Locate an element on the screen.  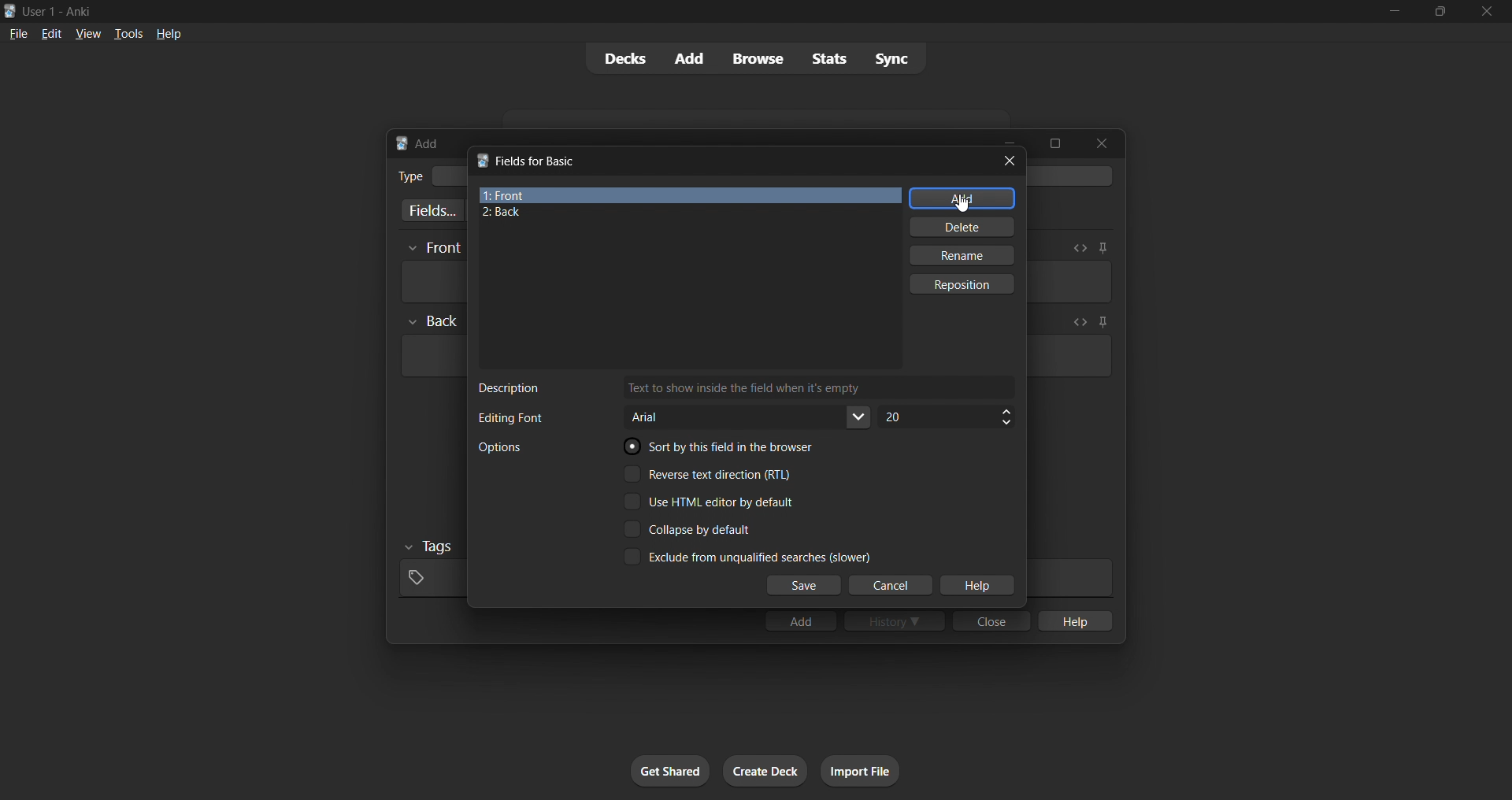
add is located at coordinates (691, 59).